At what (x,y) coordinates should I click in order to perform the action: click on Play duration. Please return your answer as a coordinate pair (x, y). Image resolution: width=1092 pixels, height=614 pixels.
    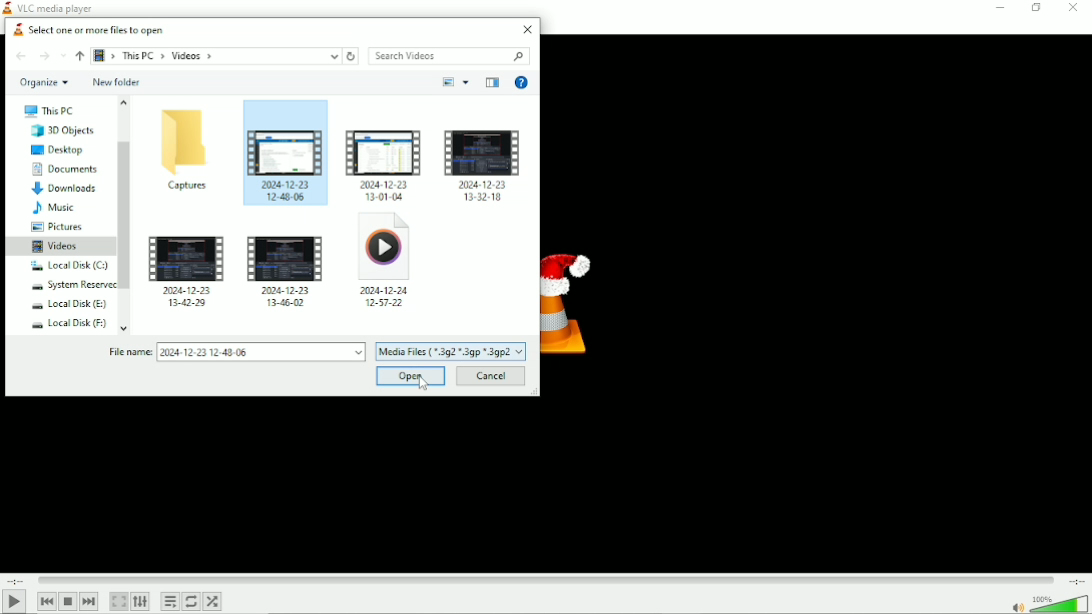
    Looking at the image, I should click on (546, 580).